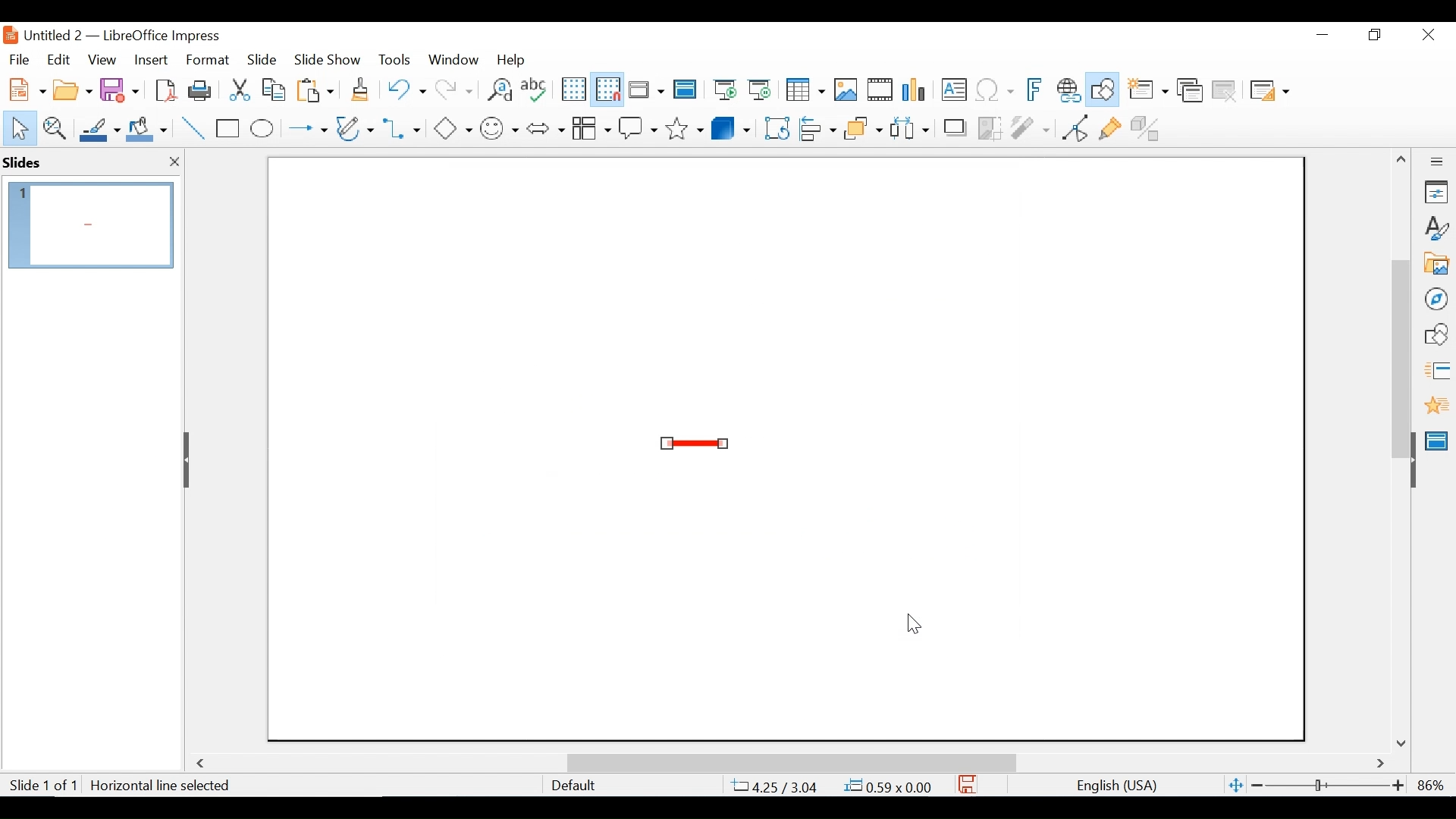 The height and width of the screenshot is (819, 1456). Describe the element at coordinates (861, 127) in the screenshot. I see `Arrange` at that location.